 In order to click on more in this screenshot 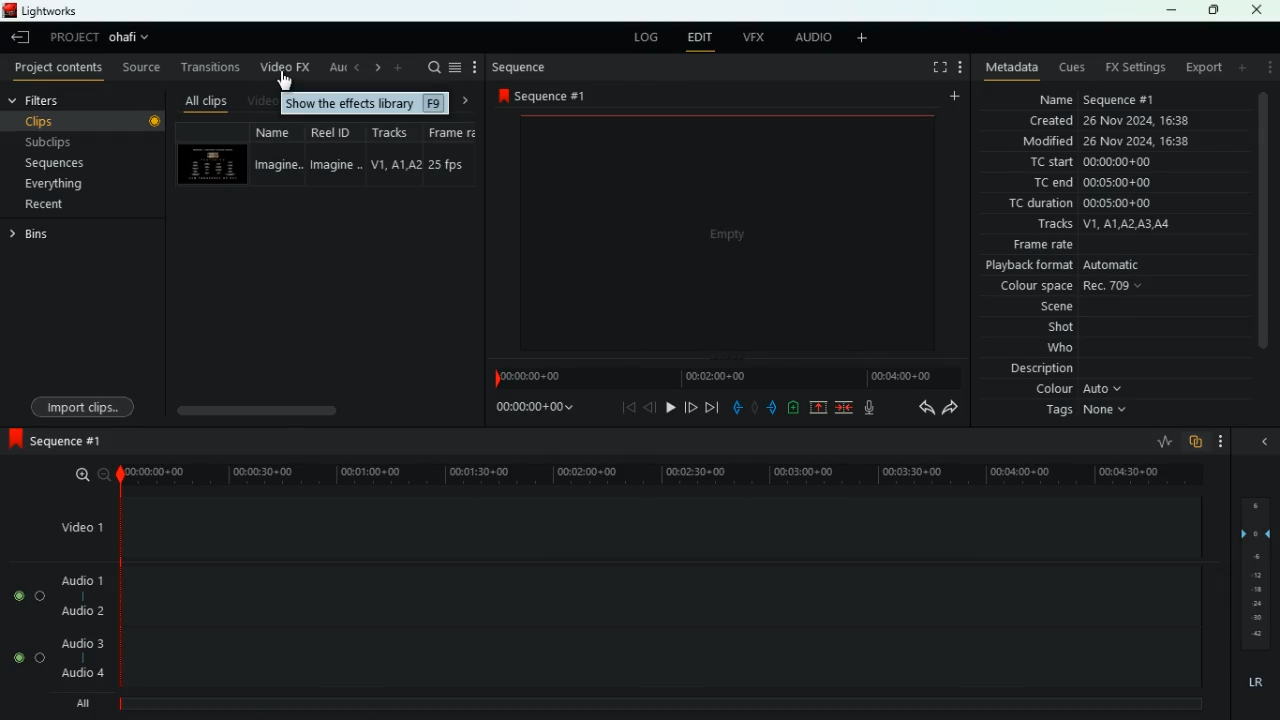, I will do `click(960, 68)`.